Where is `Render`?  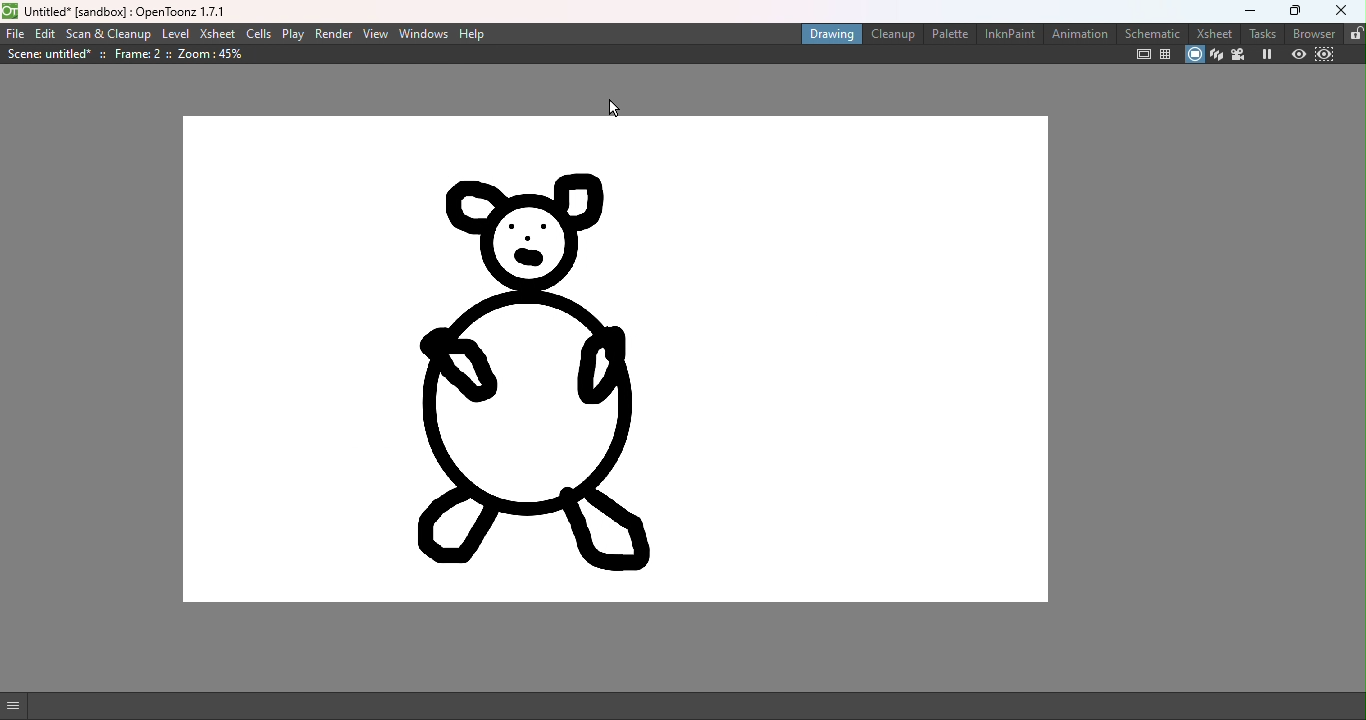
Render is located at coordinates (336, 35).